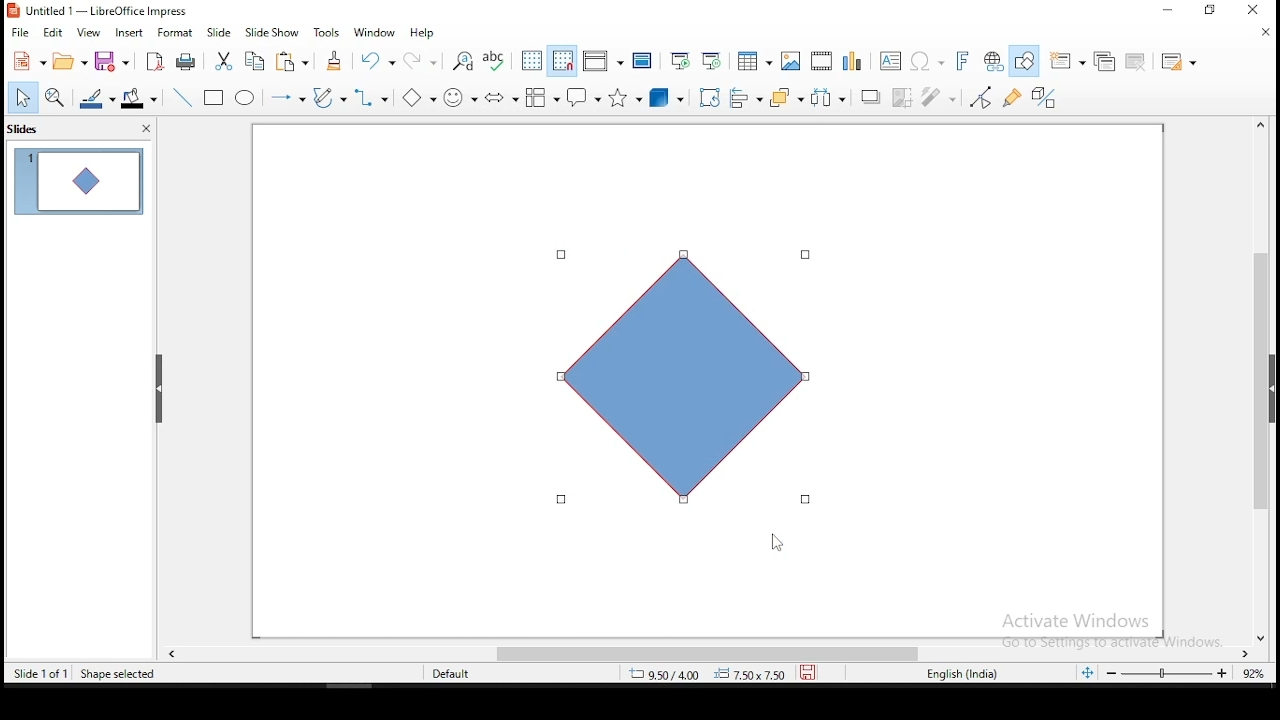 The height and width of the screenshot is (720, 1280). Describe the element at coordinates (893, 60) in the screenshot. I see `text box` at that location.